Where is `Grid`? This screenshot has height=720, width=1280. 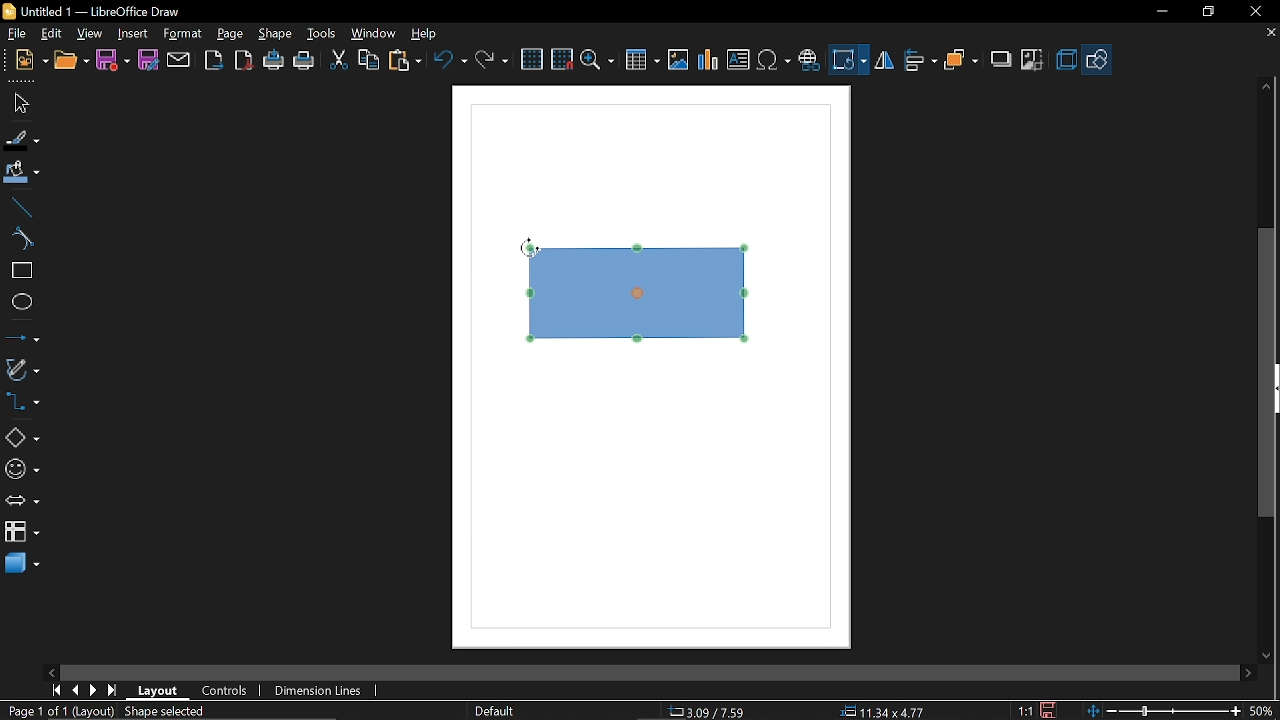
Grid is located at coordinates (533, 60).